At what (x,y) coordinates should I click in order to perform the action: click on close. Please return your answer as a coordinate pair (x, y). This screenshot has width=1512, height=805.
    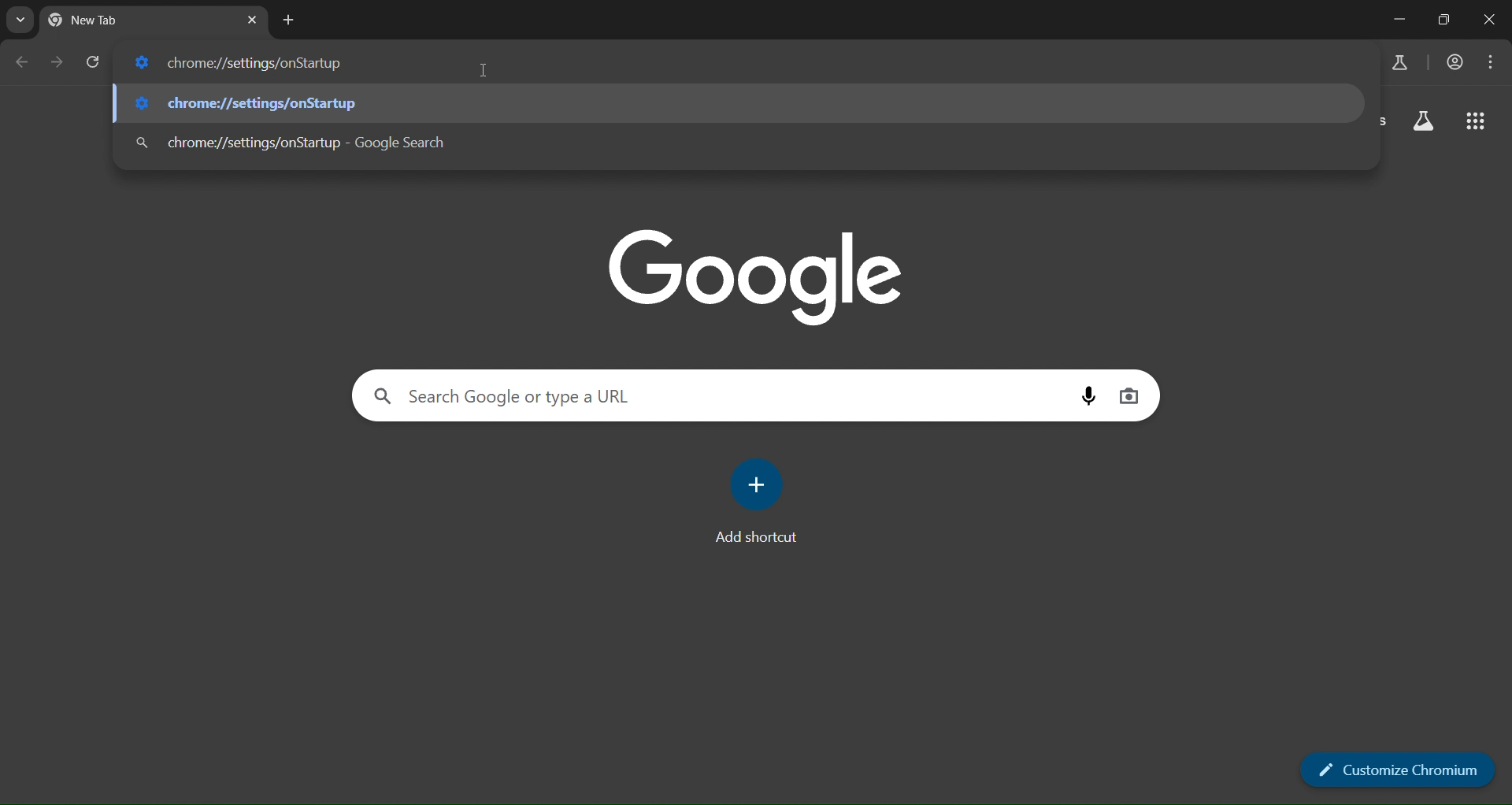
    Looking at the image, I should click on (1490, 20).